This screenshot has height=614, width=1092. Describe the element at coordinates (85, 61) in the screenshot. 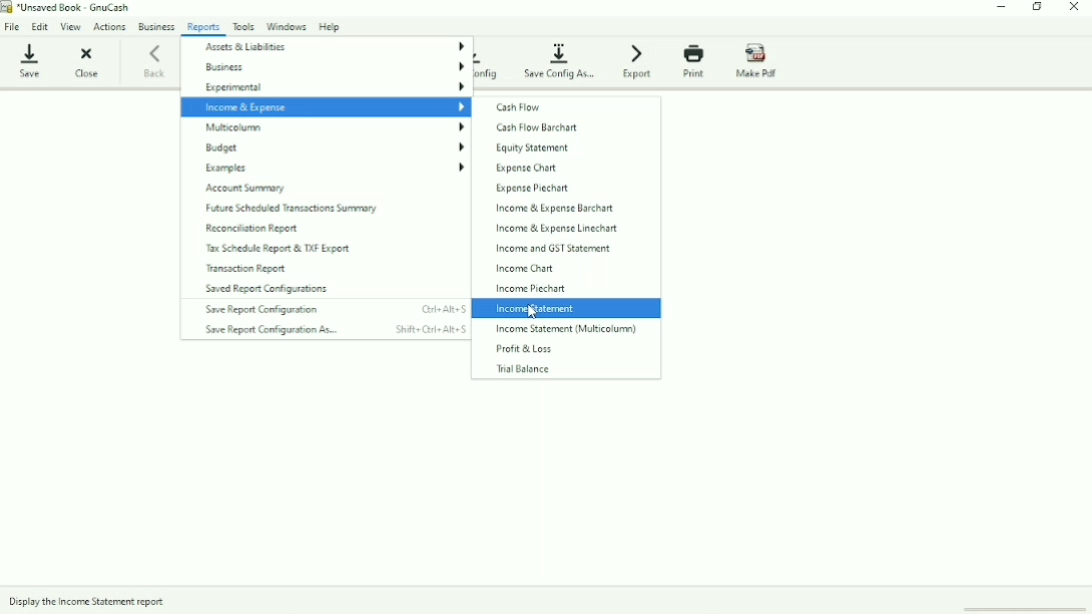

I see `Close` at that location.